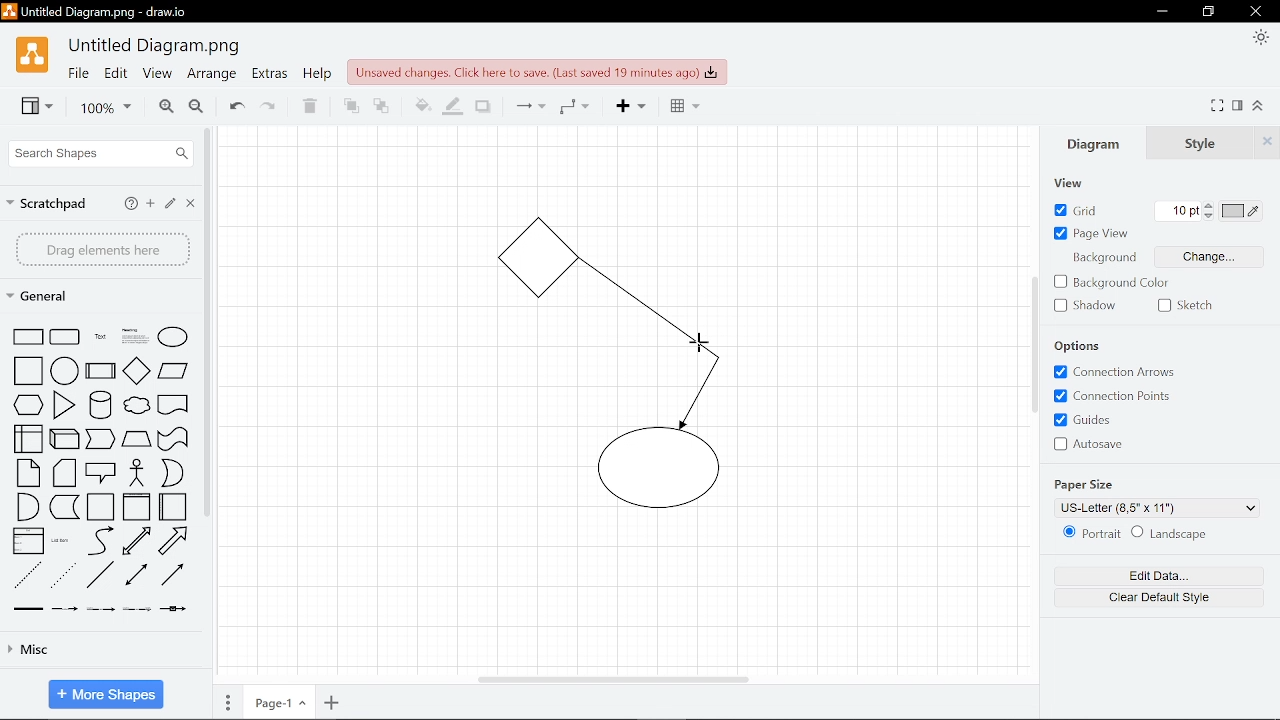 The image size is (1280, 720). Describe the element at coordinates (176, 577) in the screenshot. I see `shape` at that location.